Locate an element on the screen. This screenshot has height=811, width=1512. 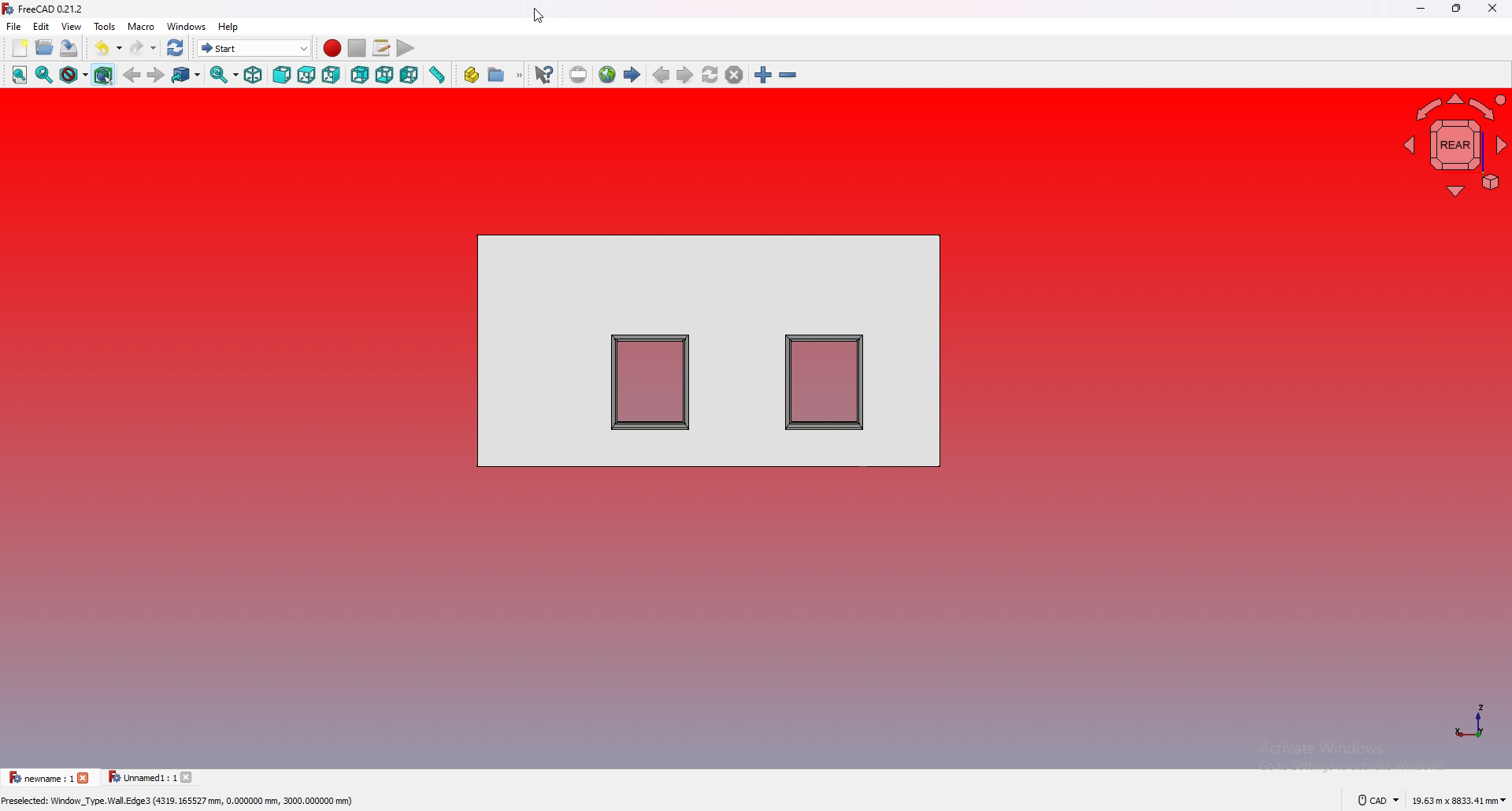
fit selection is located at coordinates (45, 75).